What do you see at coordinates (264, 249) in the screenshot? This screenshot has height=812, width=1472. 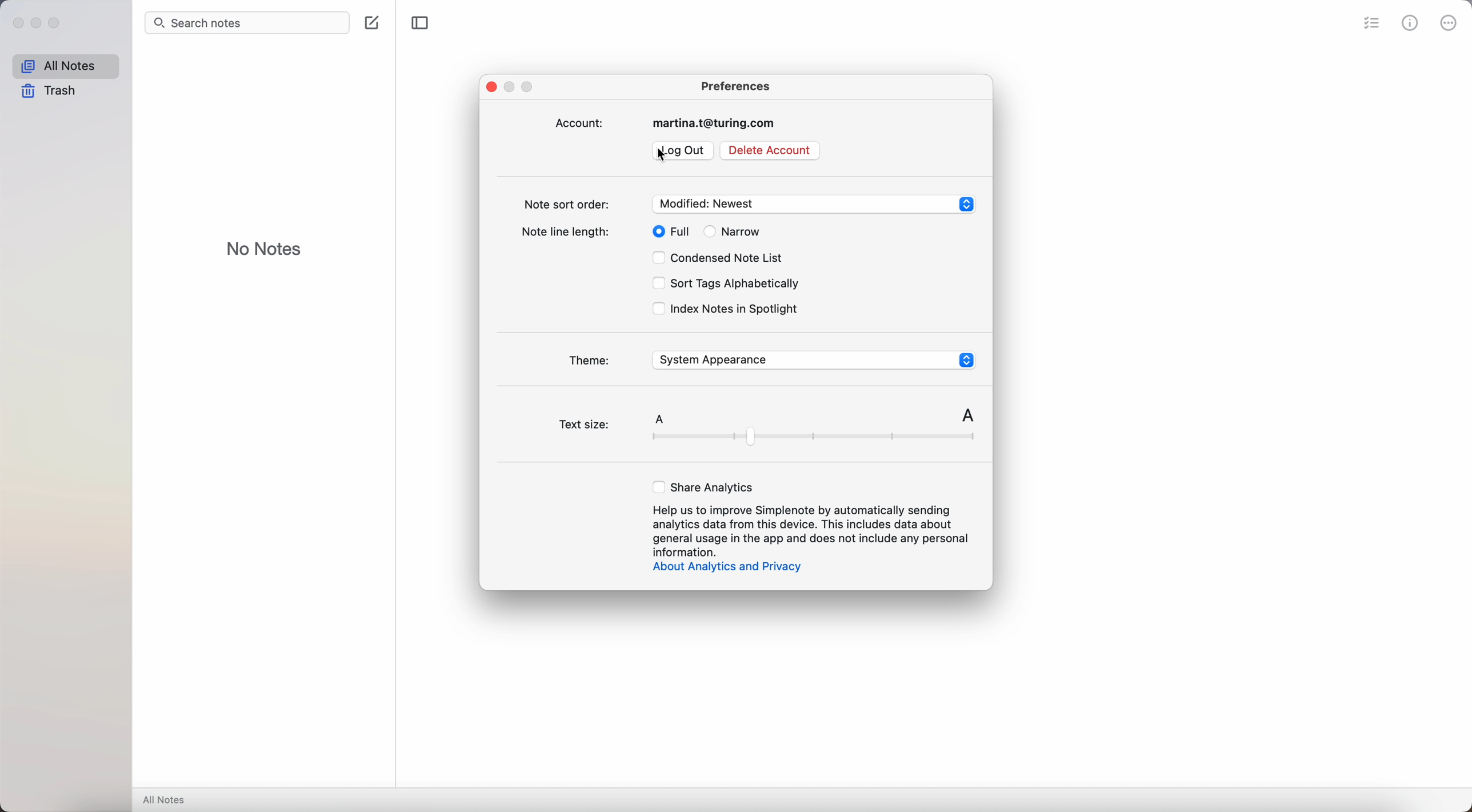 I see `no notes` at bounding box center [264, 249].